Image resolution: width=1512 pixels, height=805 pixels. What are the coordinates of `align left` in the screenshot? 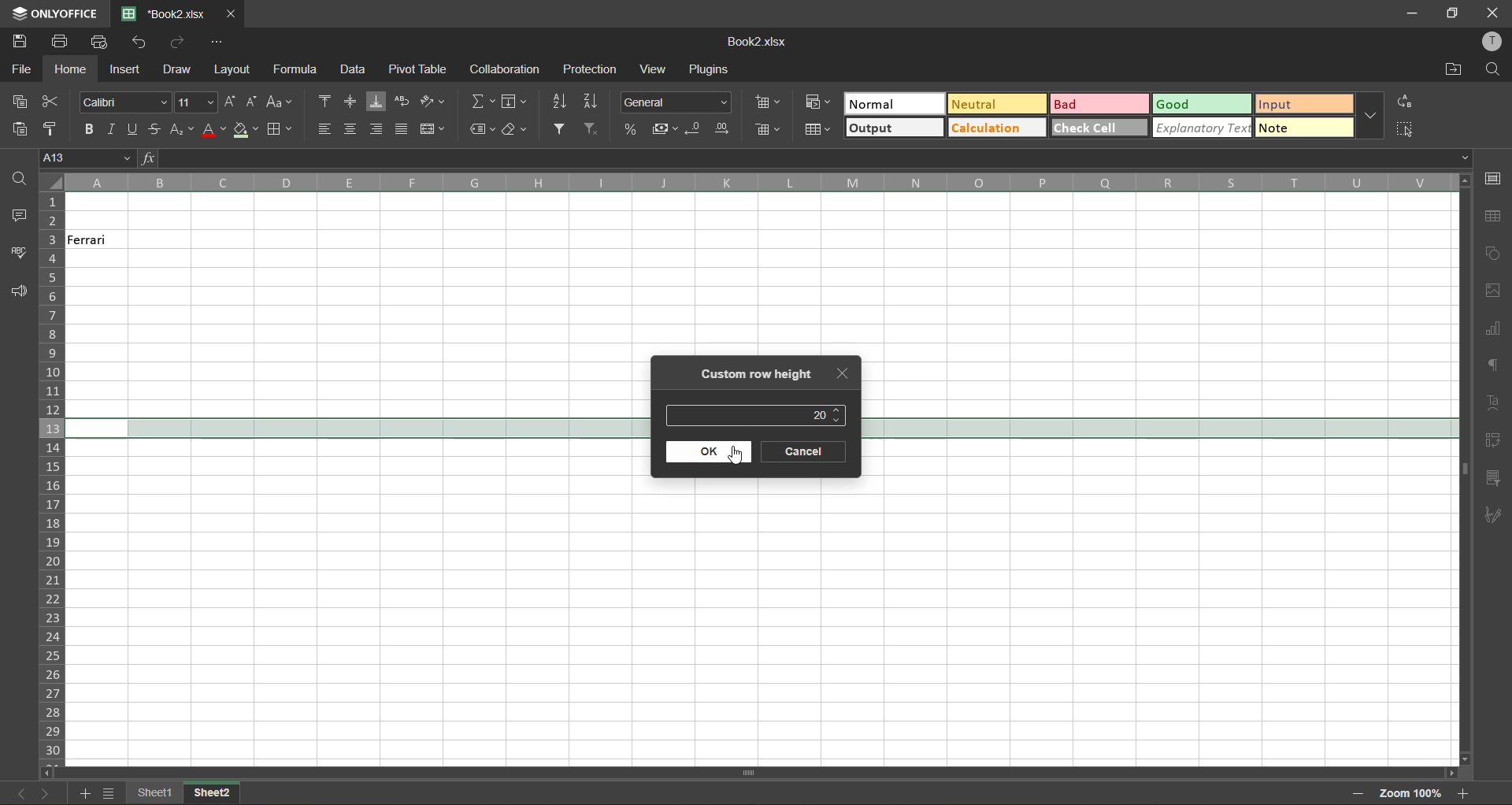 It's located at (329, 129).